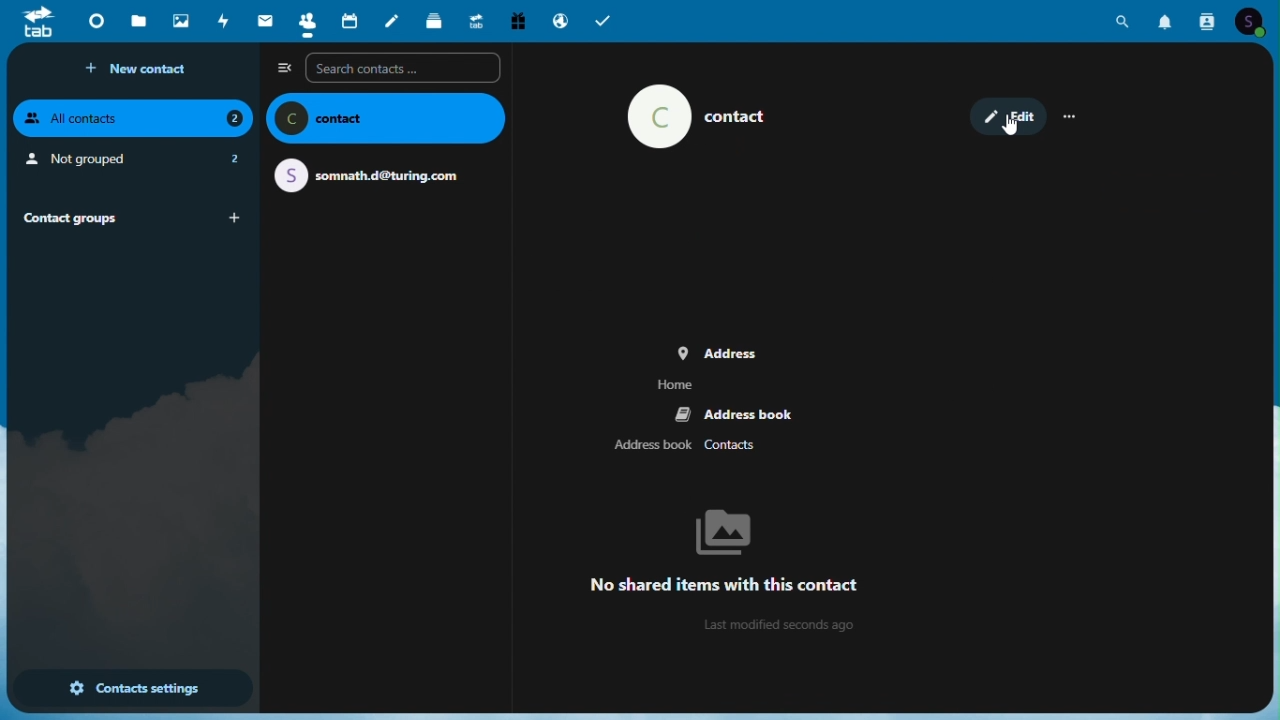  Describe the element at coordinates (560, 19) in the screenshot. I see `Email hosting` at that location.